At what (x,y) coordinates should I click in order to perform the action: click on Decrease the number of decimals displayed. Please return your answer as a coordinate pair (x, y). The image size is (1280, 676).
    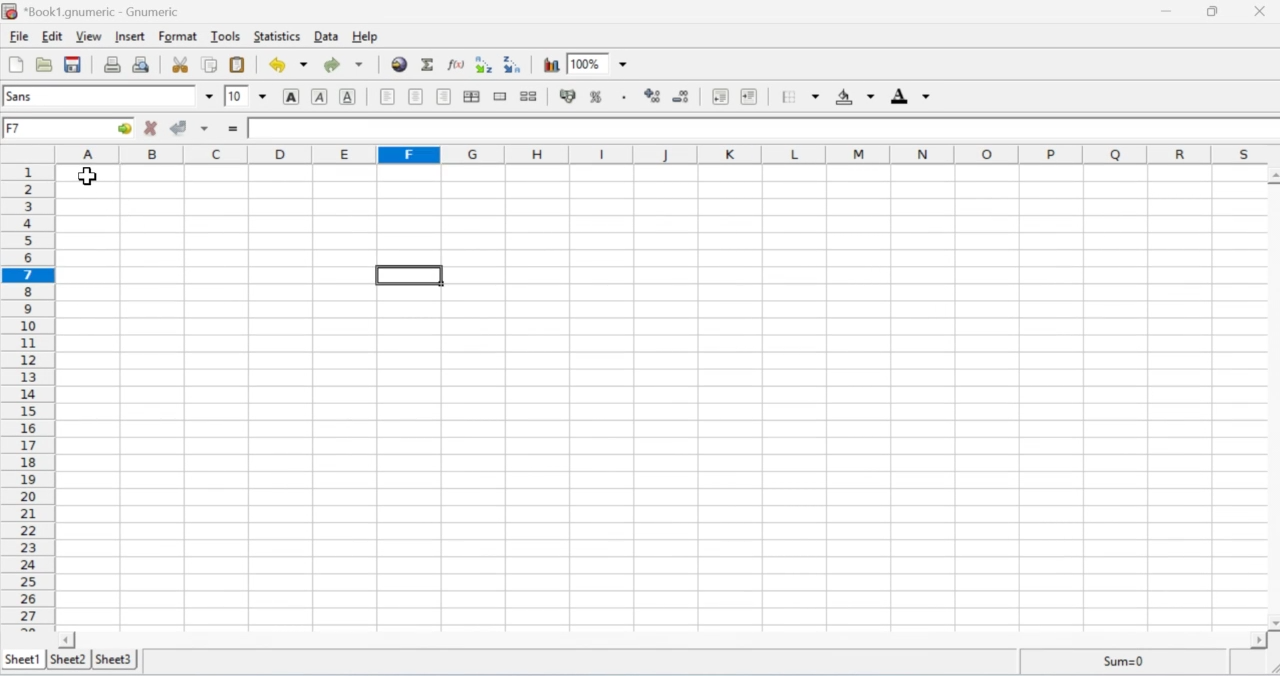
    Looking at the image, I should click on (683, 94).